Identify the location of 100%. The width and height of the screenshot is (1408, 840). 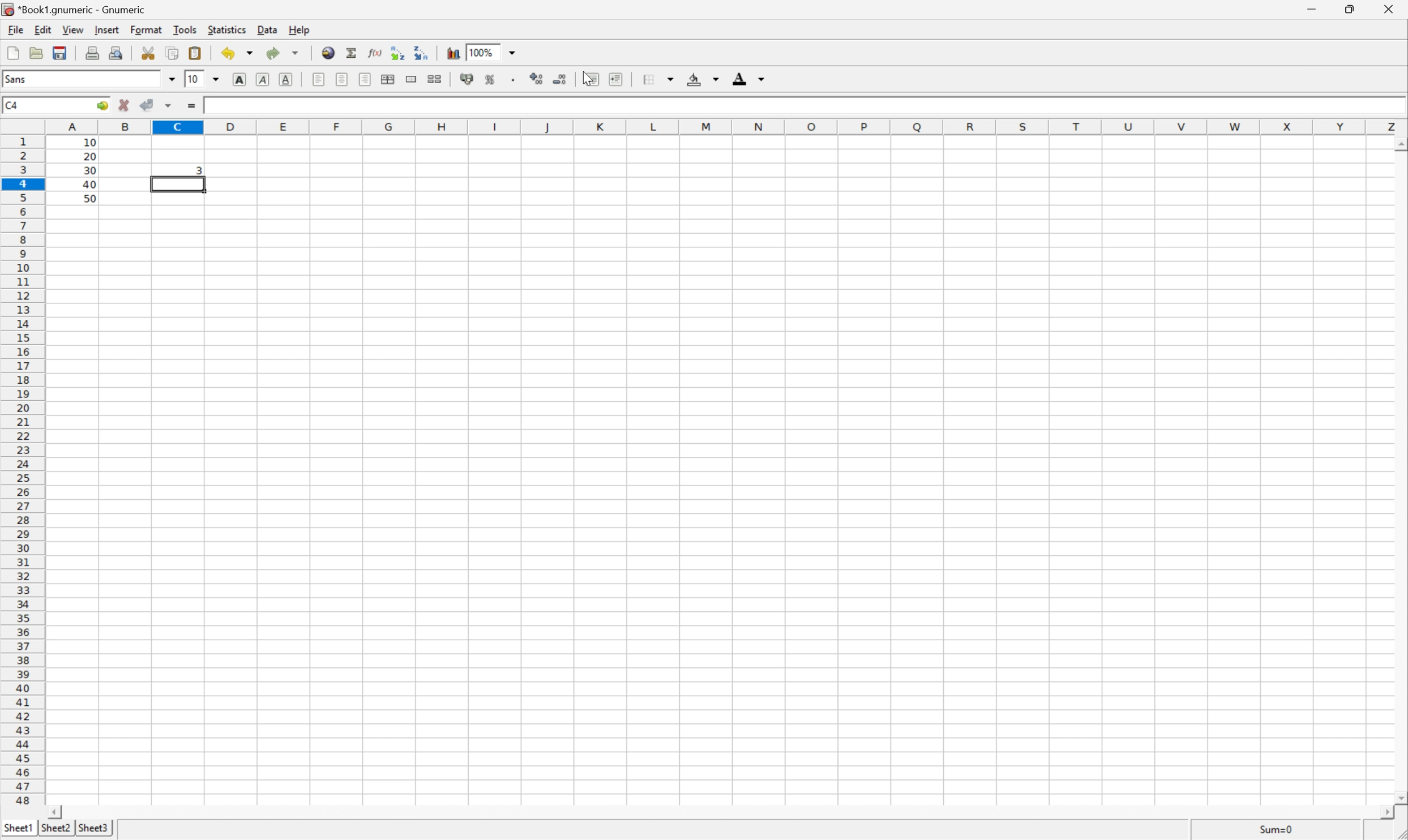
(481, 51).